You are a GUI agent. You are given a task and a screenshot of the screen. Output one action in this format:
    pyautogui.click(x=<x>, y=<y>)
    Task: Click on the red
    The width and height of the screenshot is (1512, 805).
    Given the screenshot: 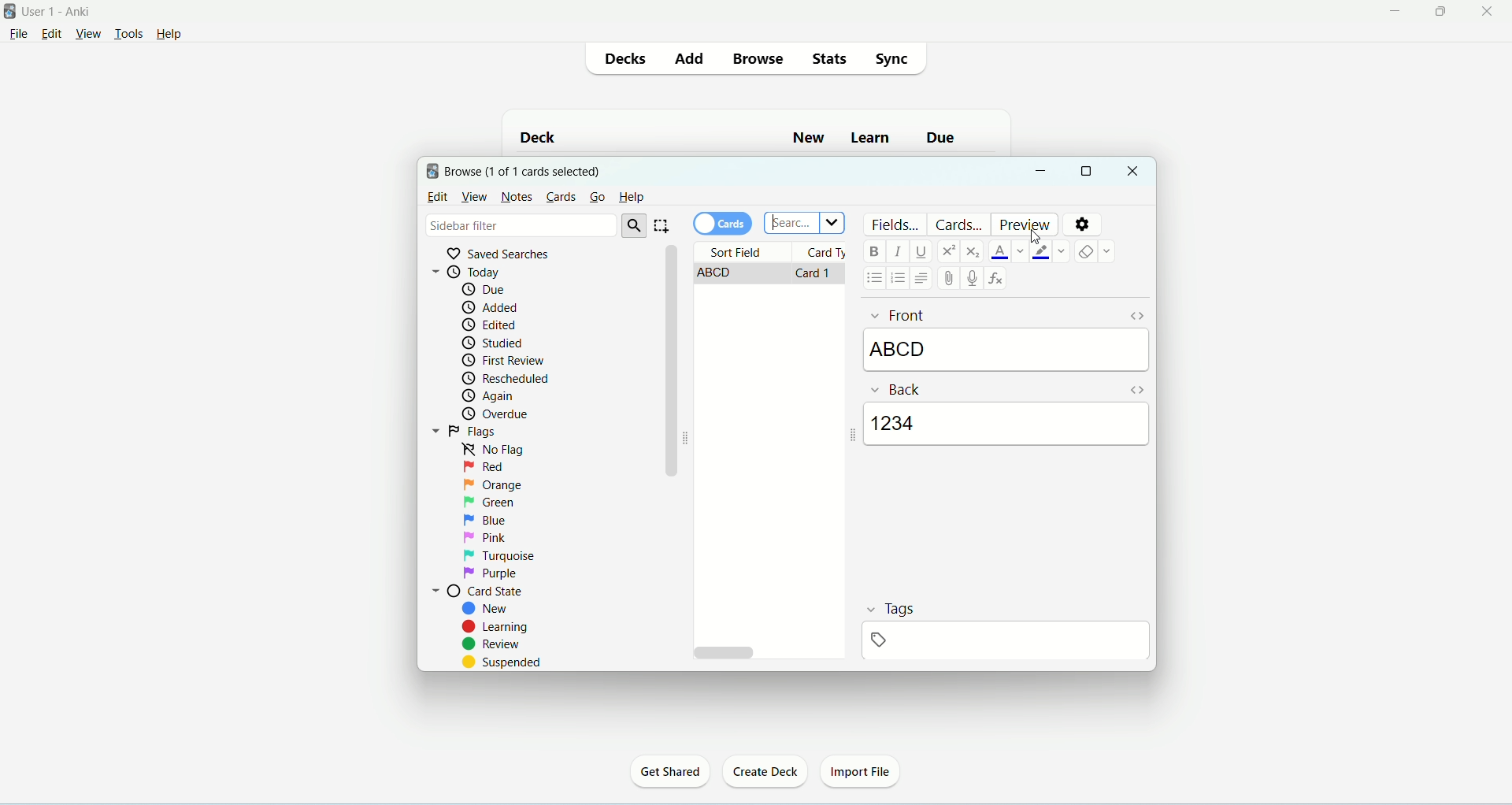 What is the action you would take?
    pyautogui.click(x=486, y=467)
    